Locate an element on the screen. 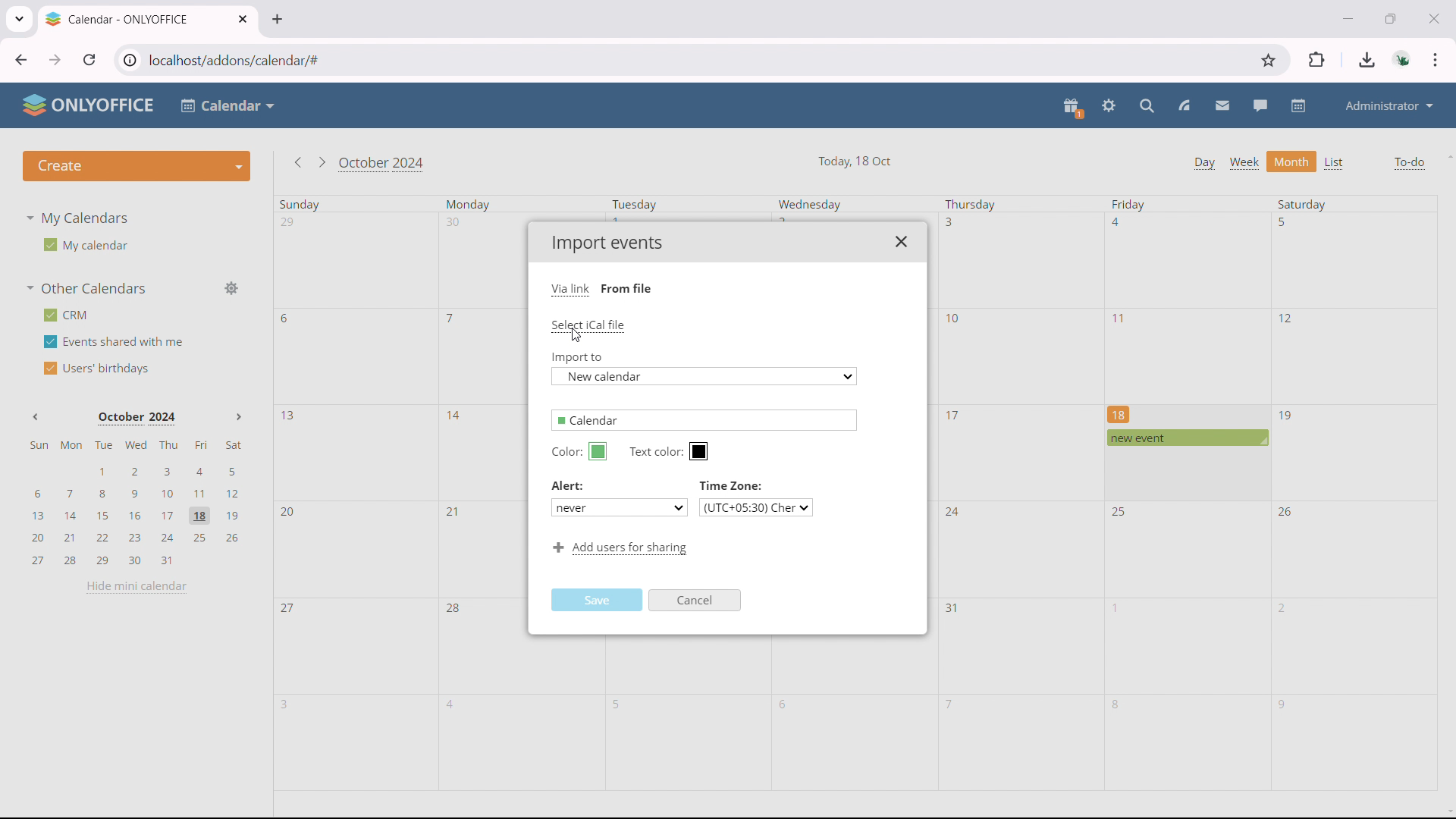  reload this page is located at coordinates (90, 59).